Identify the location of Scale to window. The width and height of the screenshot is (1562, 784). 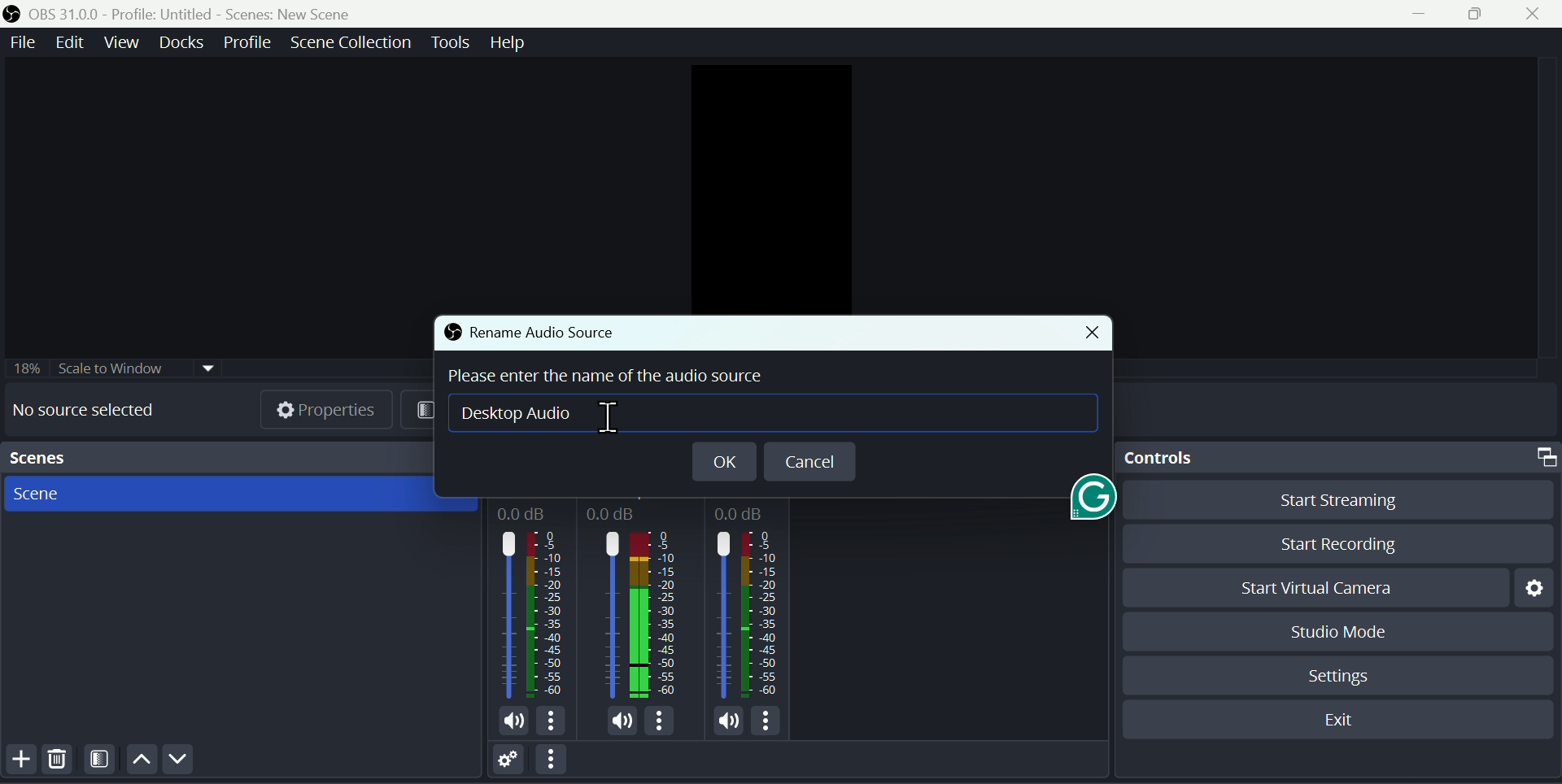
(111, 368).